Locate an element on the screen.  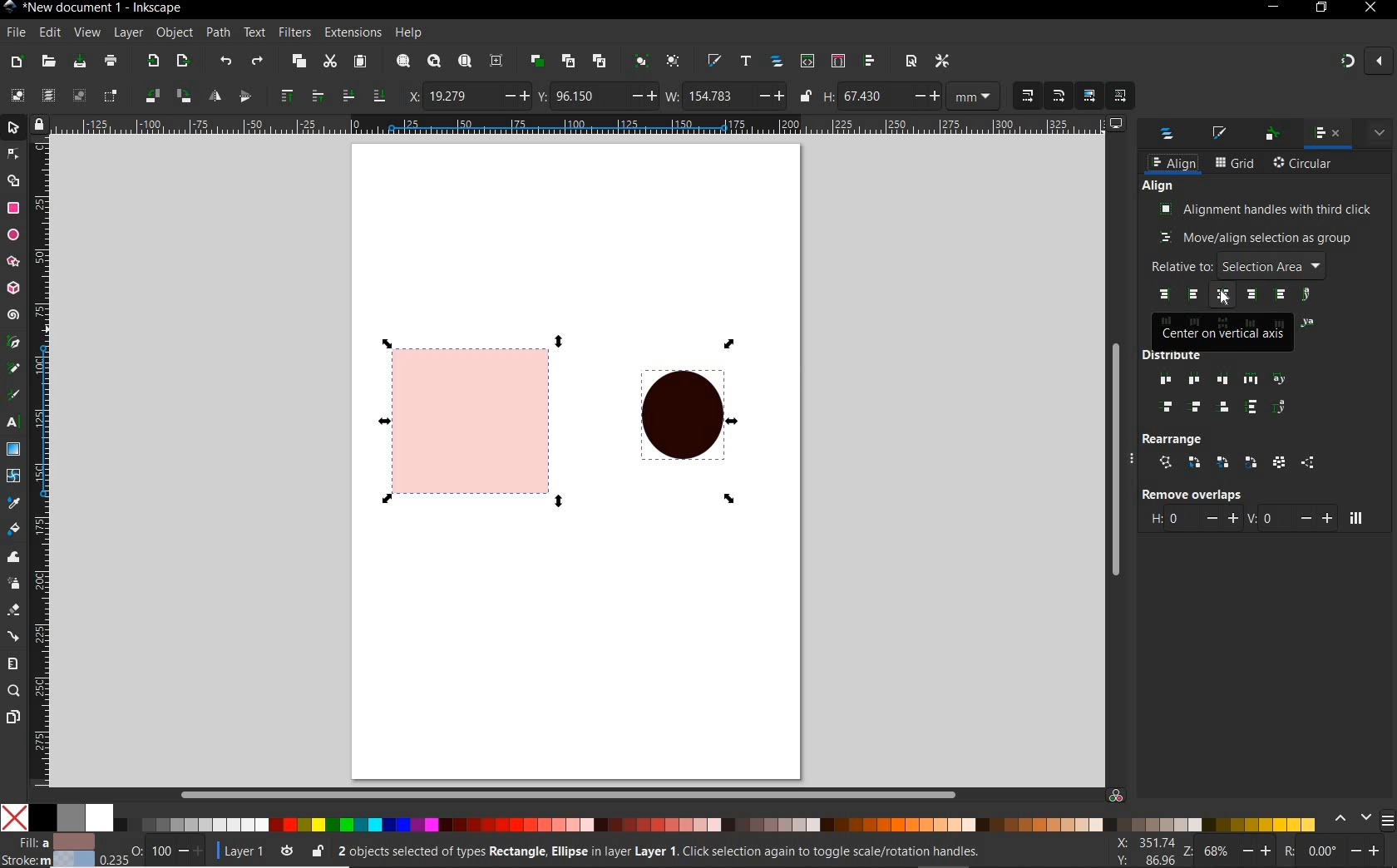
create clone is located at coordinates (569, 61).